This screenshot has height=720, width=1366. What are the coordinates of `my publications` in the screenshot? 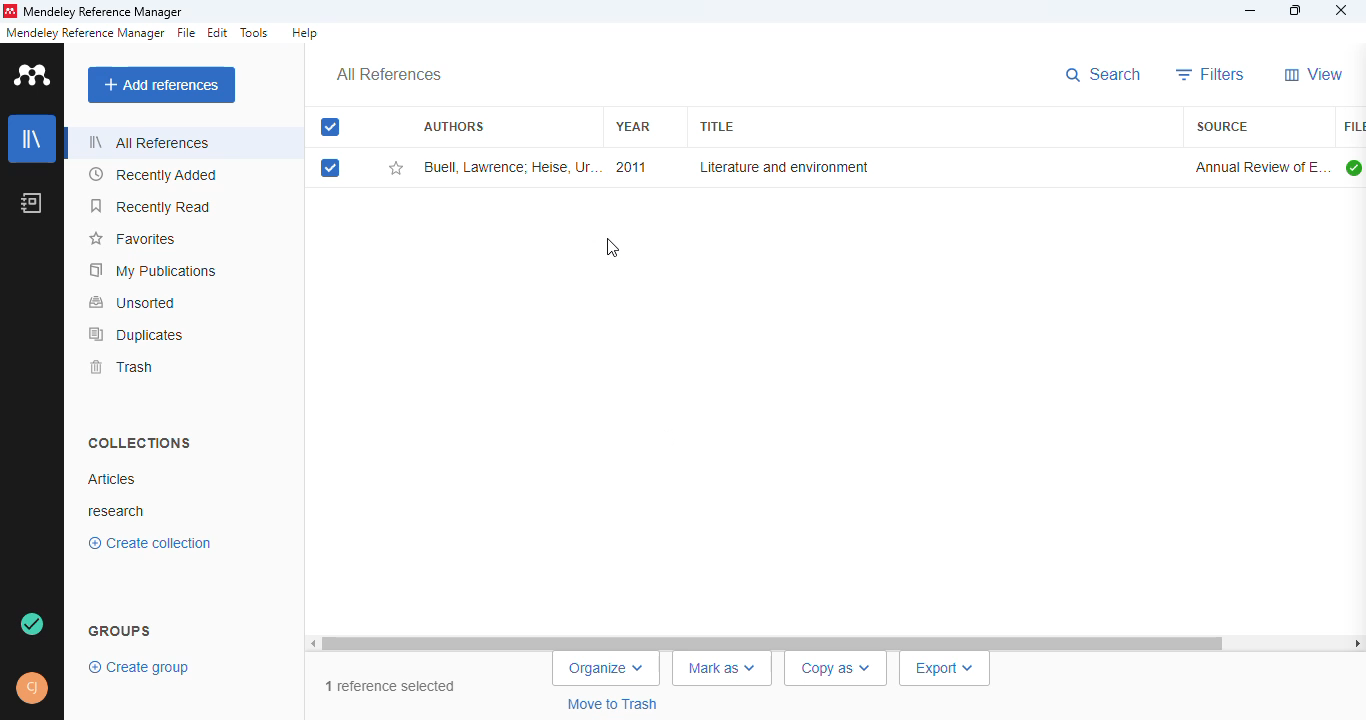 It's located at (153, 271).